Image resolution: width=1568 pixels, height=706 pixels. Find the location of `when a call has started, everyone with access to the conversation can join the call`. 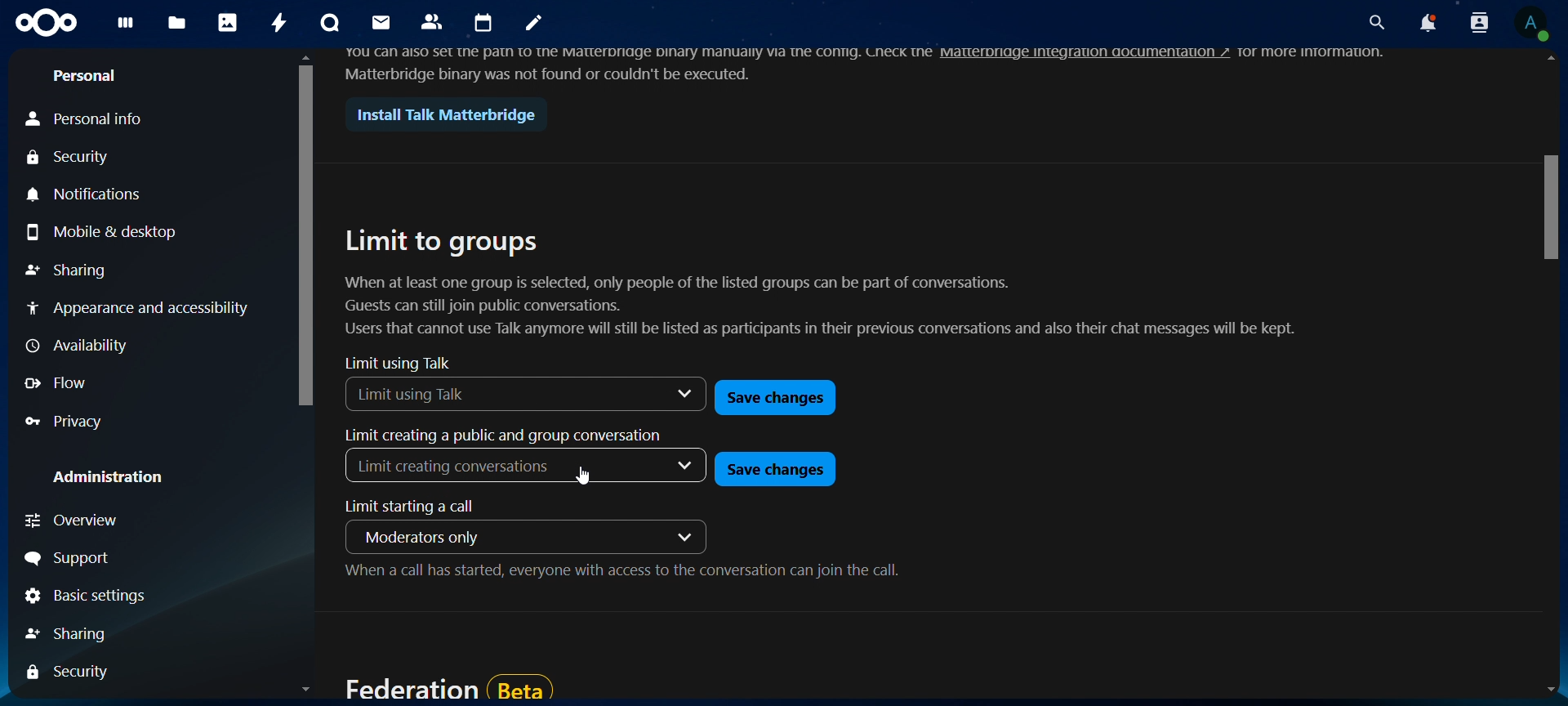

when a call has started, everyone with access to the conversation can join the call is located at coordinates (621, 574).